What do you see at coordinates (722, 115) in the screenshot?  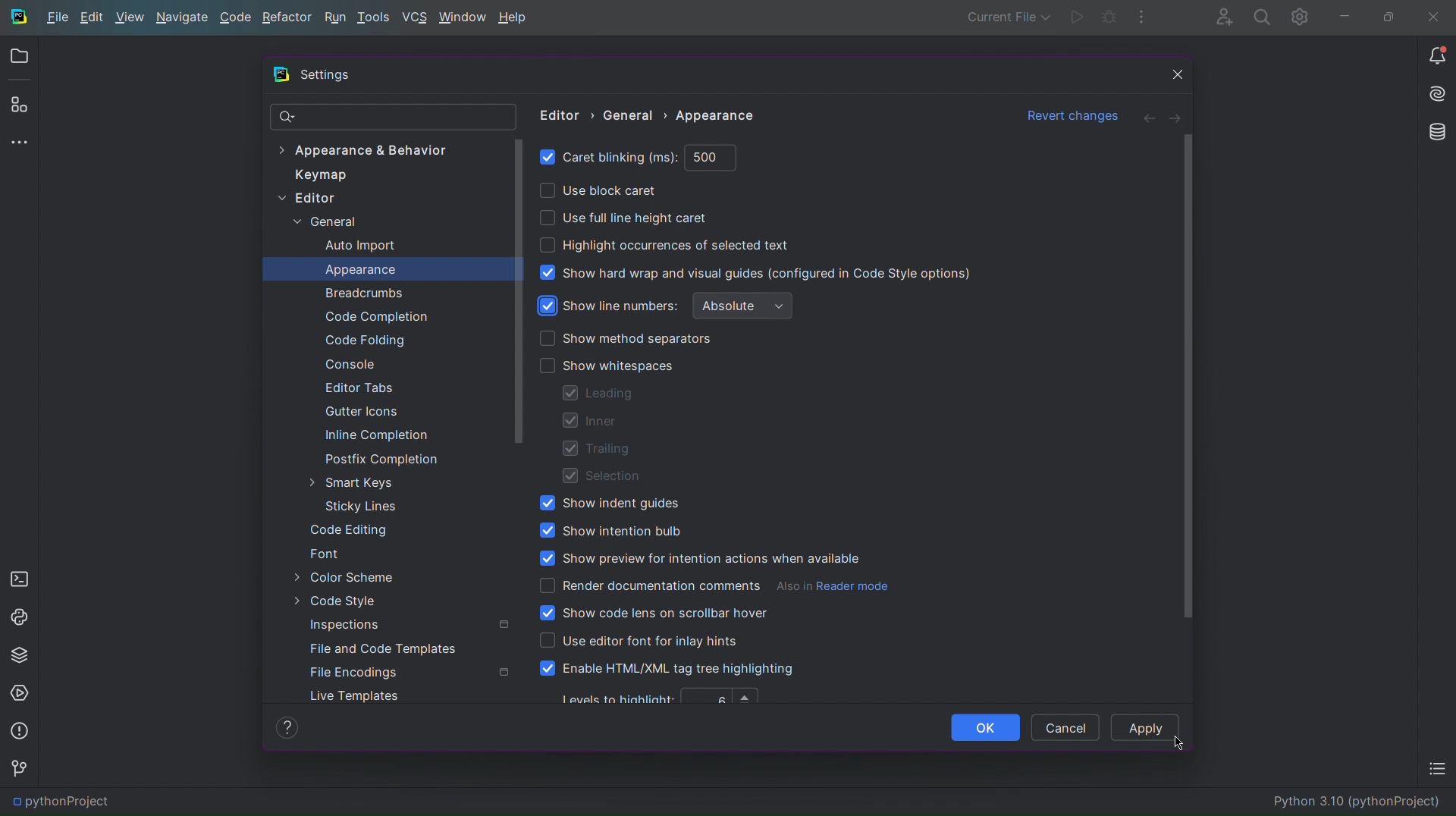 I see `Appearance` at bounding box center [722, 115].